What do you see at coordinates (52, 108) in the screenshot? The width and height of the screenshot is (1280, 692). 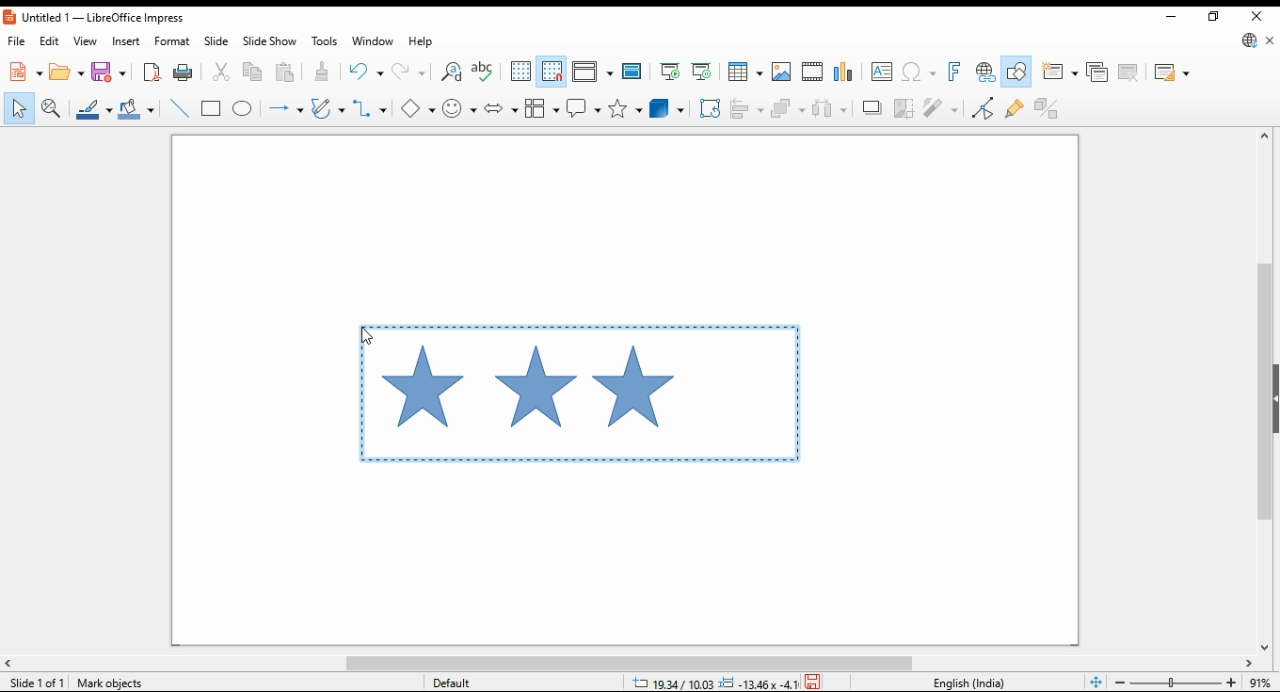 I see `pan and zoom` at bounding box center [52, 108].